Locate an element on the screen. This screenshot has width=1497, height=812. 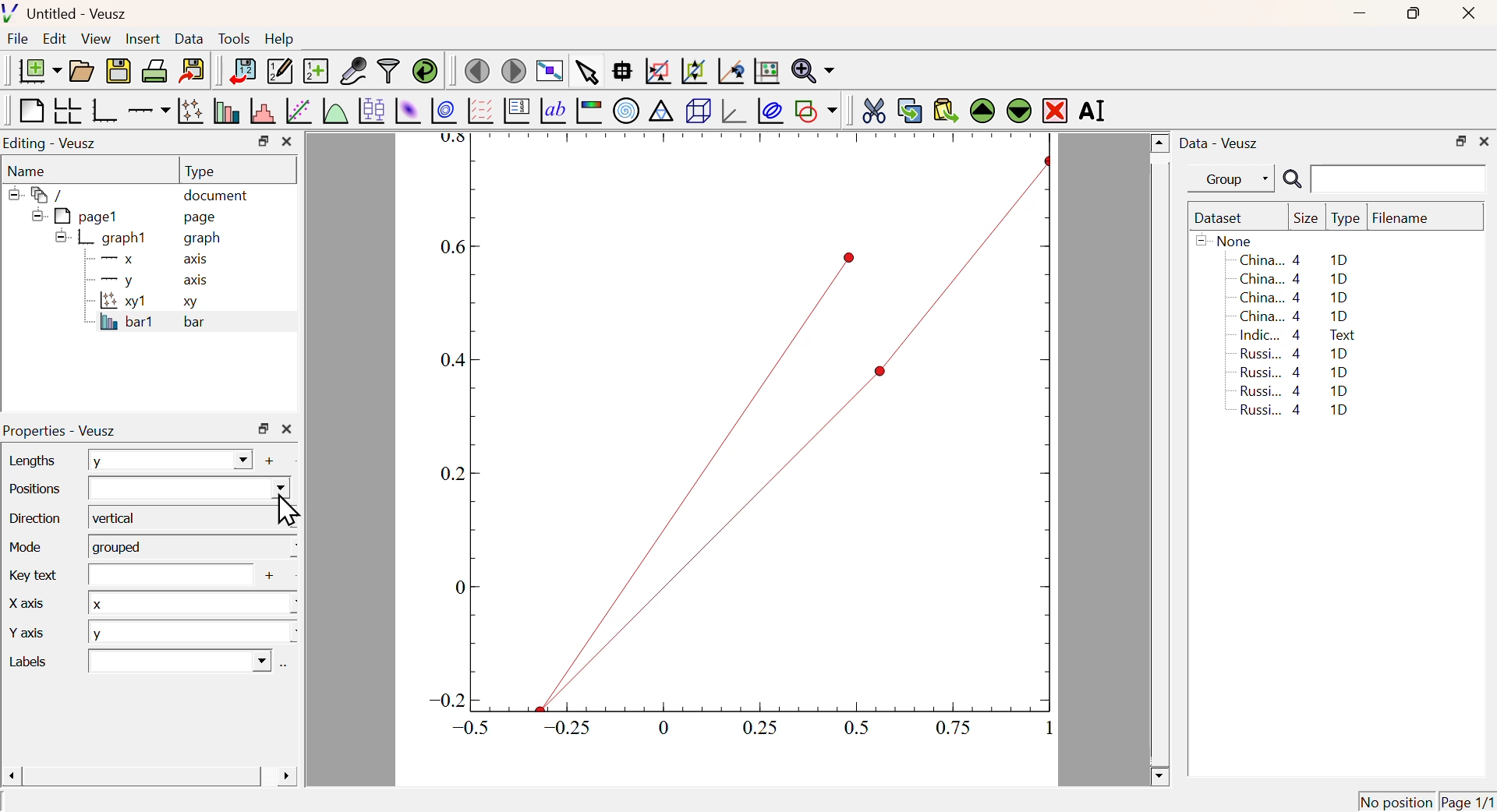
Close is located at coordinates (1485, 139).